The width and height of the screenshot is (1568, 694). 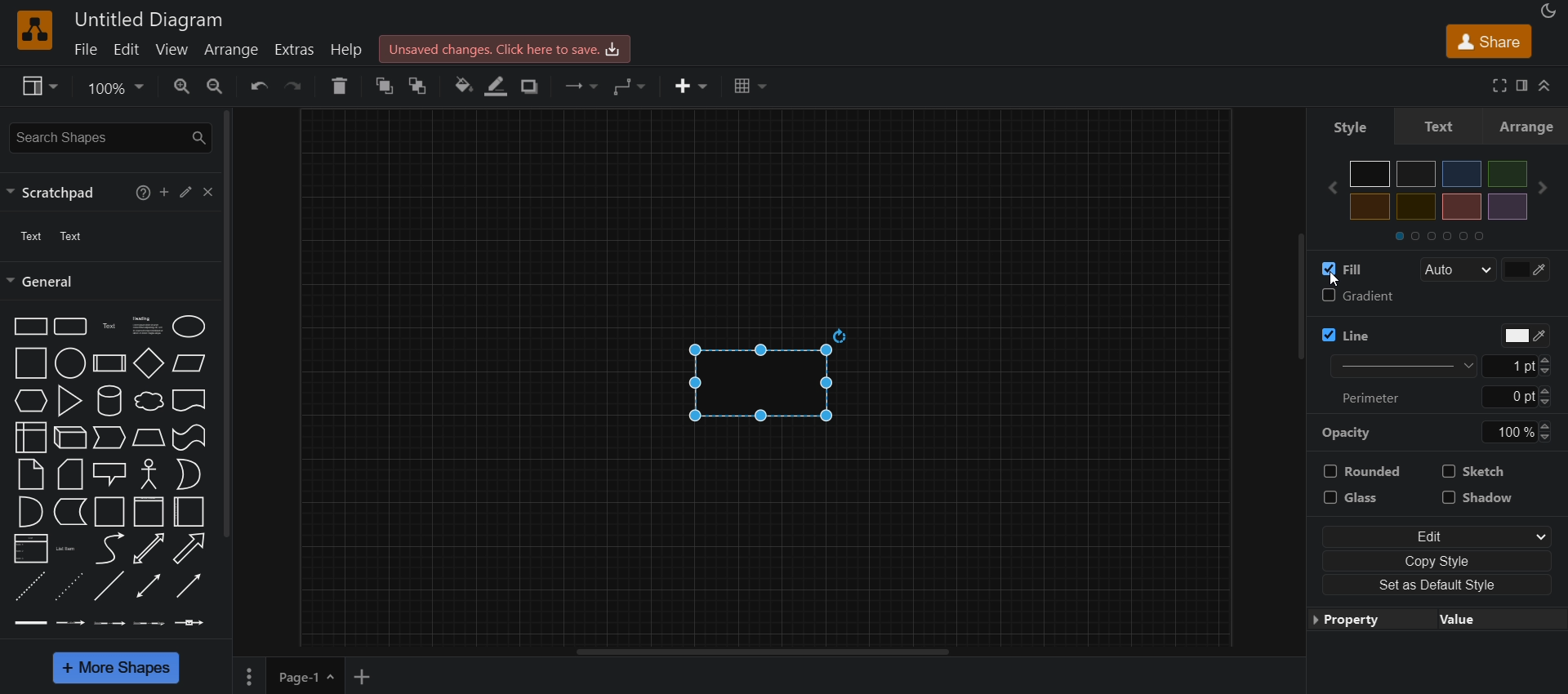 What do you see at coordinates (1347, 335) in the screenshot?
I see `line` at bounding box center [1347, 335].